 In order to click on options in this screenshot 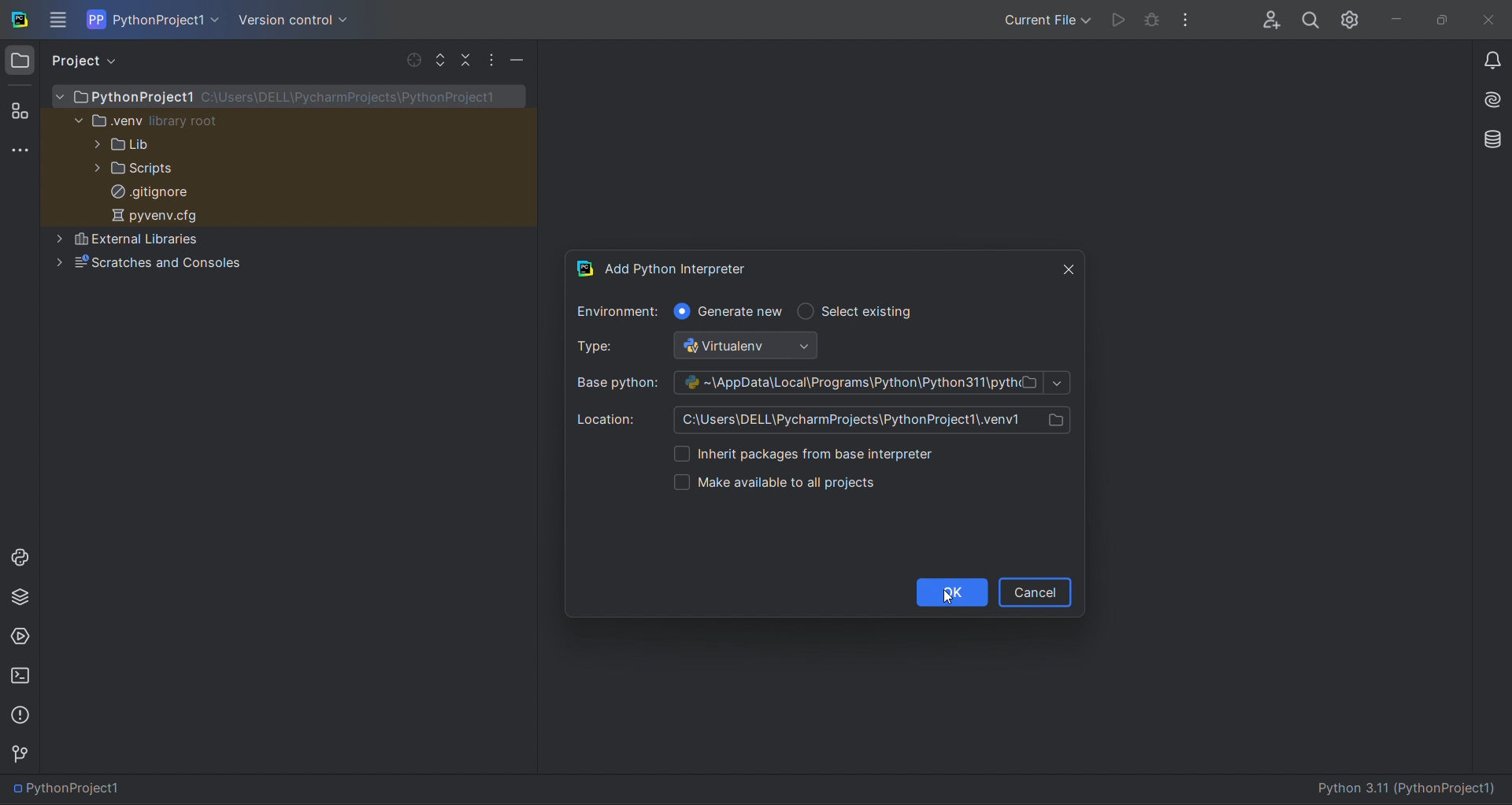, I will do `click(495, 61)`.